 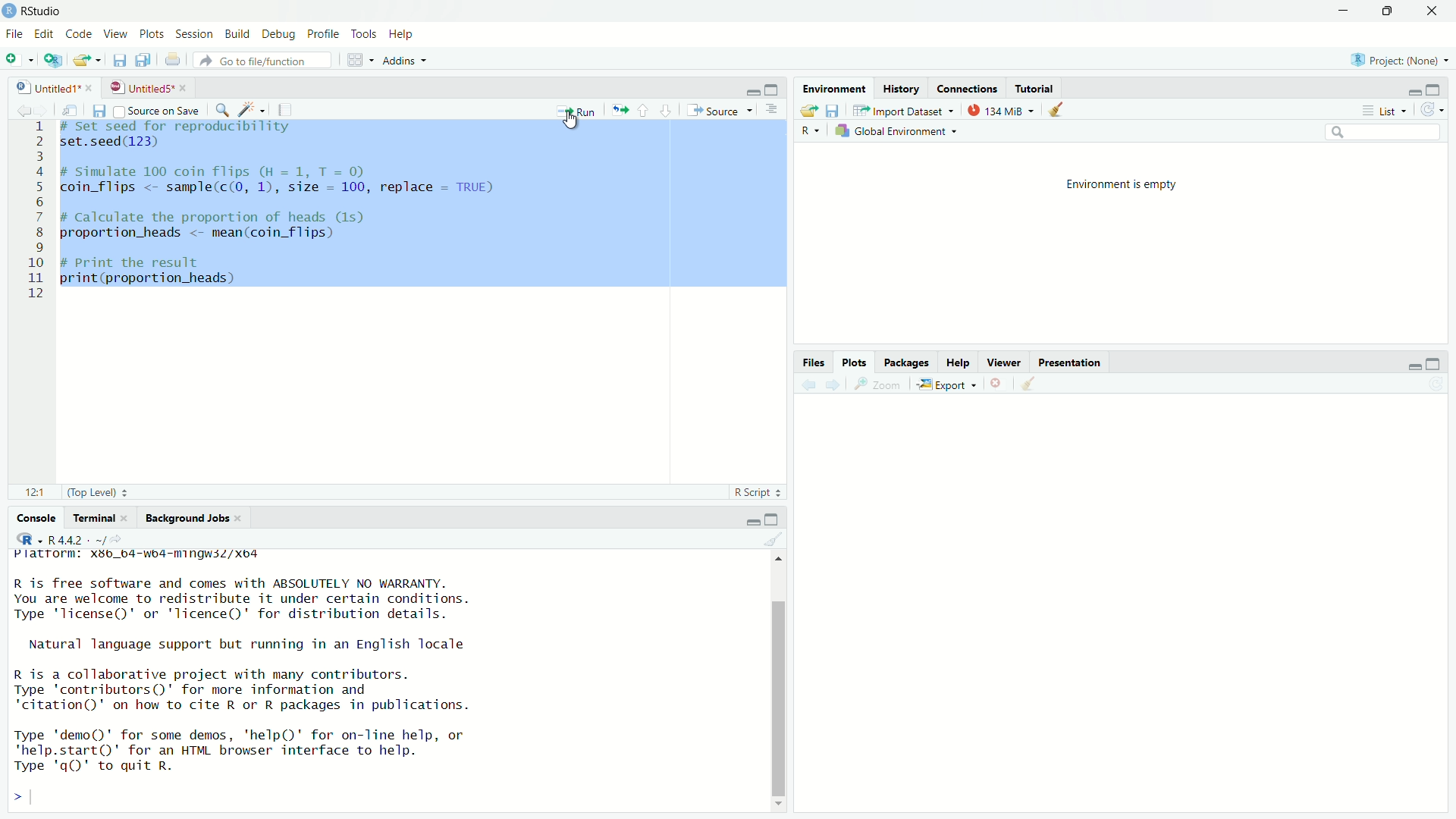 I want to click on terminal, so click(x=93, y=519).